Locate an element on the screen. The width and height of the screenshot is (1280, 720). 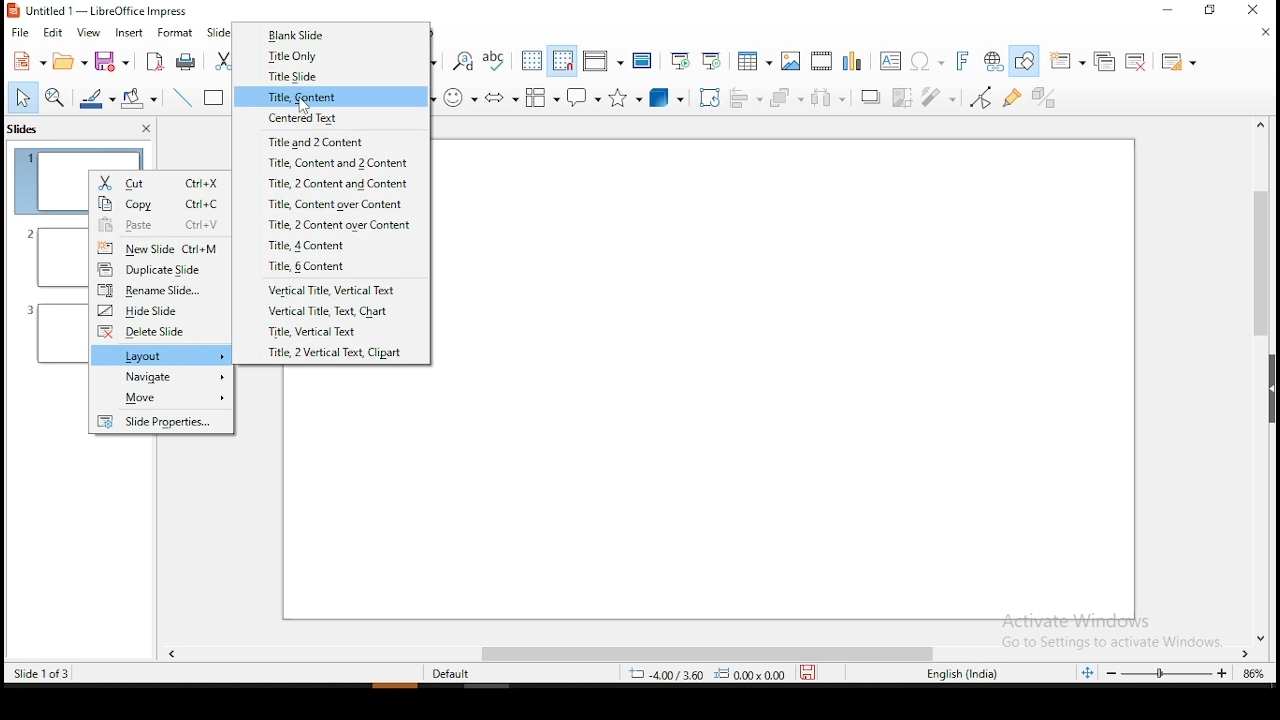
align objects is located at coordinates (746, 100).